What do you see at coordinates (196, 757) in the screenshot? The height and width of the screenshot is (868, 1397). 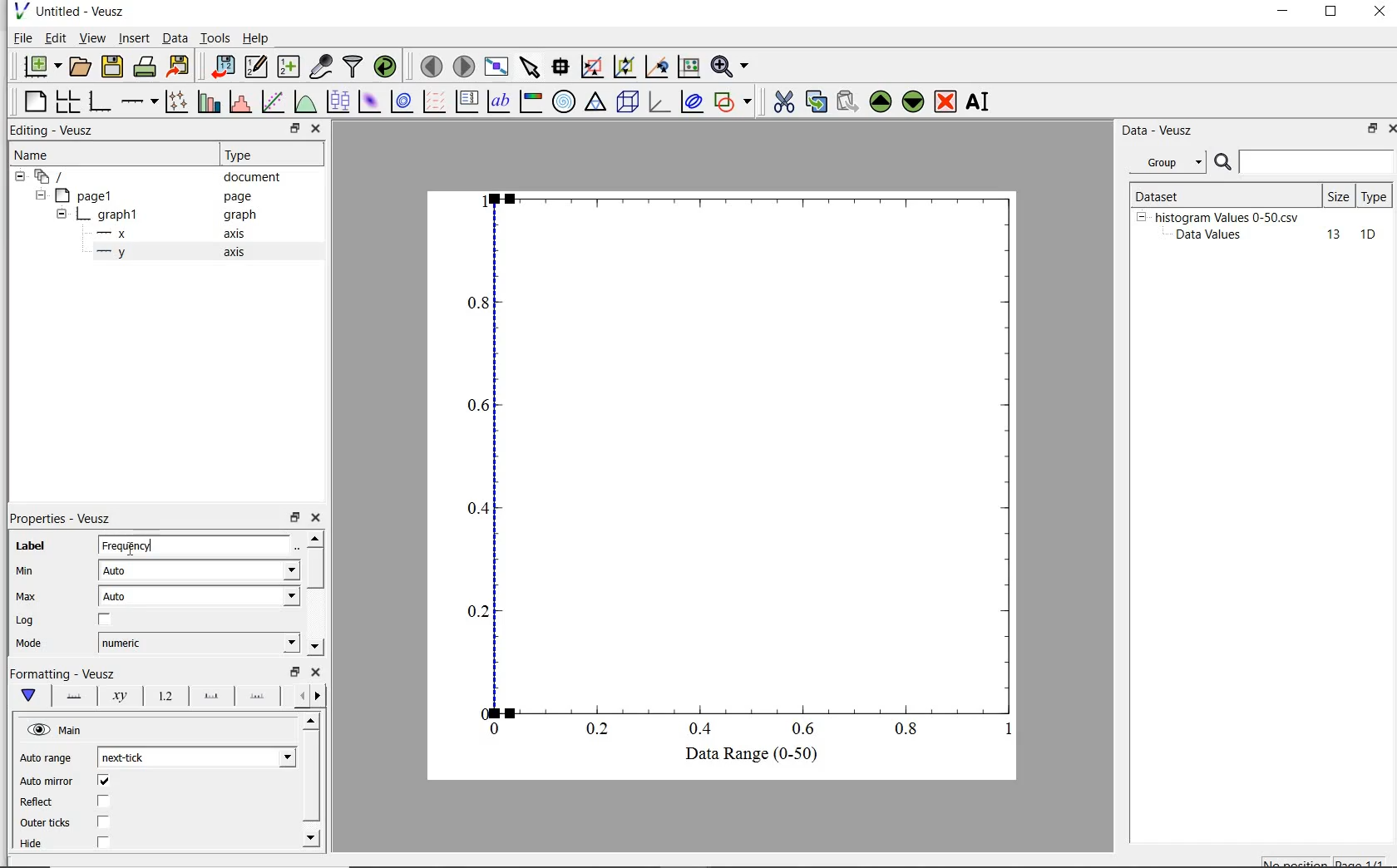 I see `next tick` at bounding box center [196, 757].